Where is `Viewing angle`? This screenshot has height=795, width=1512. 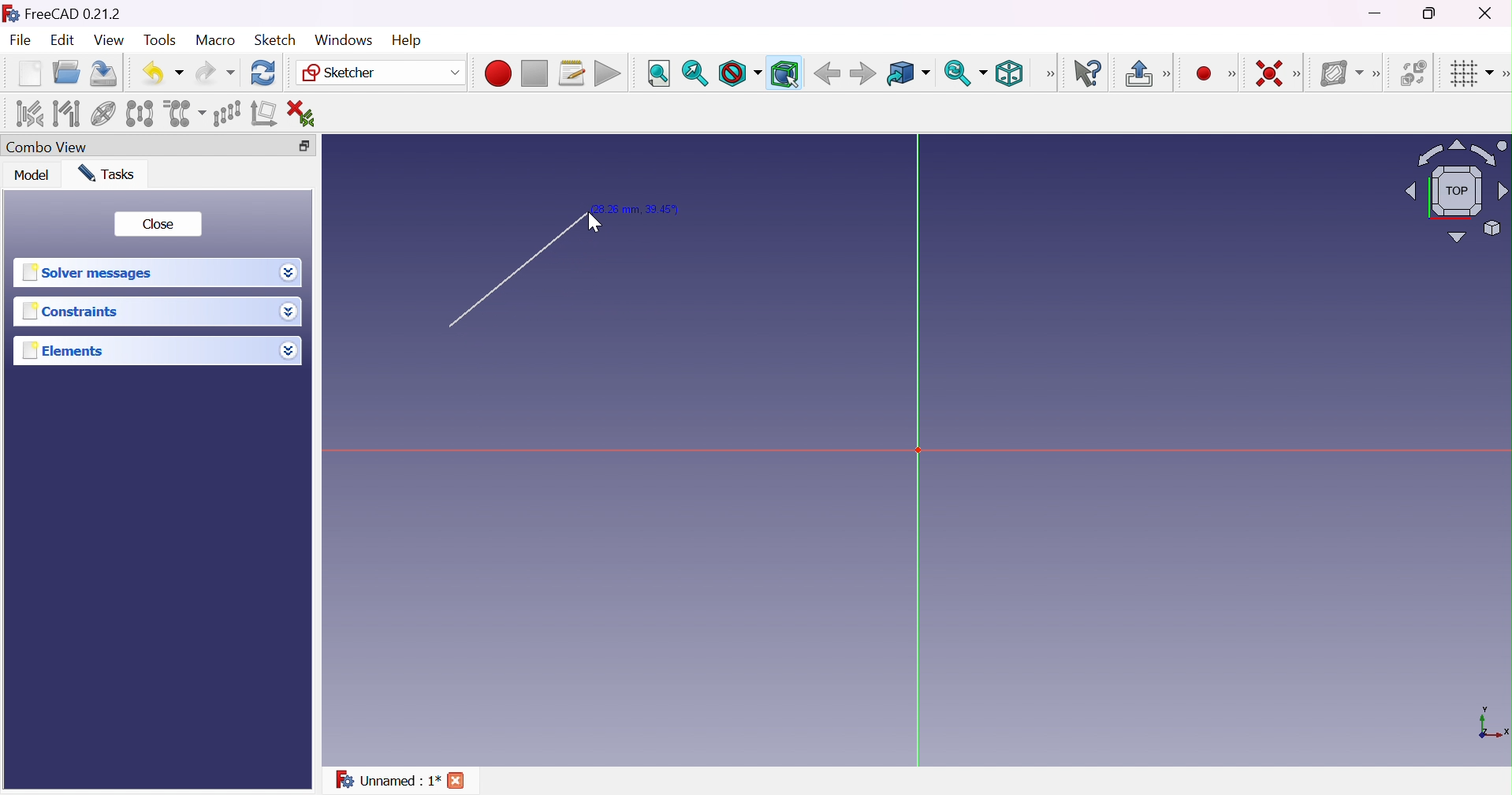
Viewing angle is located at coordinates (1458, 190).